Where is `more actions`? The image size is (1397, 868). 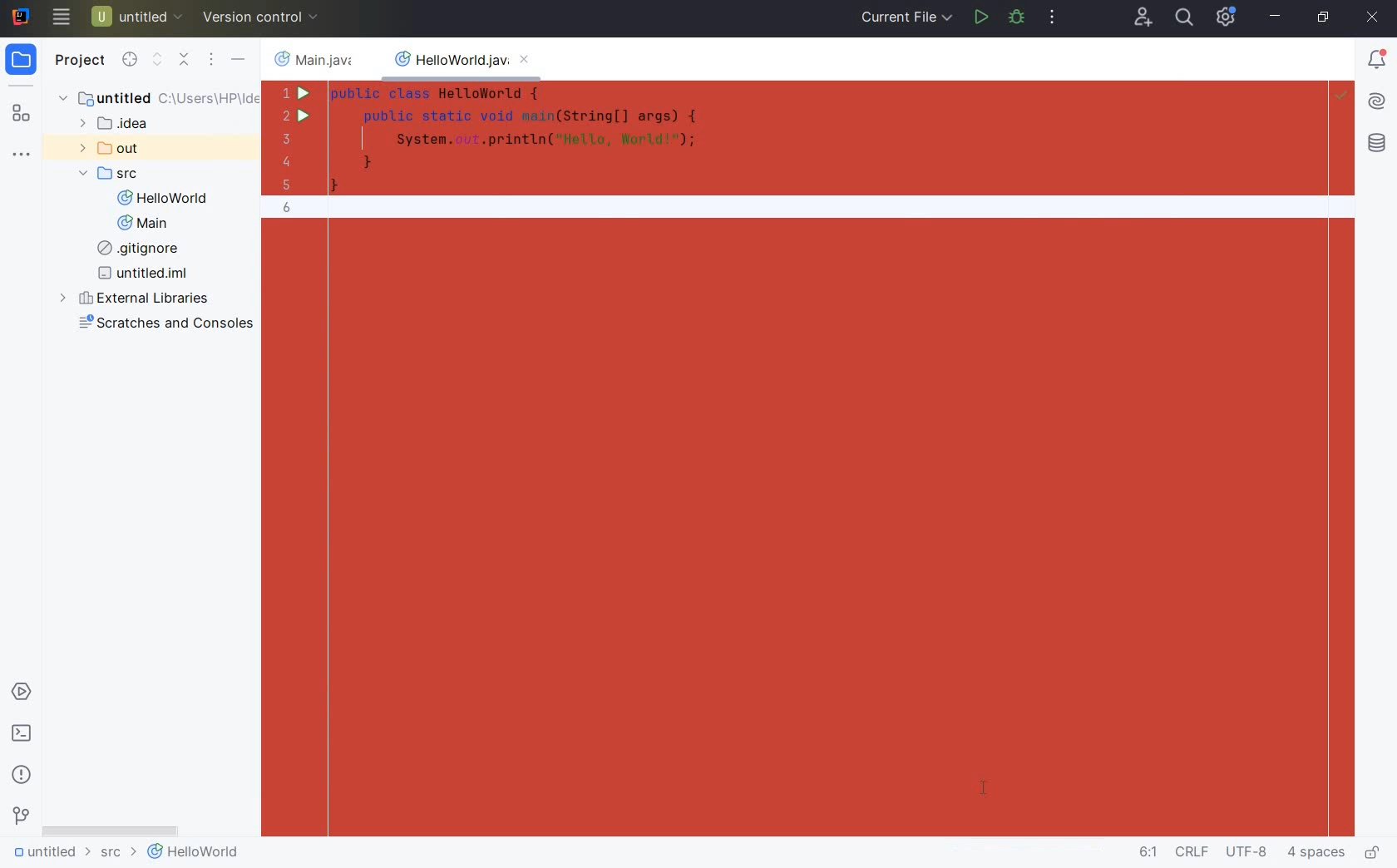 more actions is located at coordinates (1054, 16).